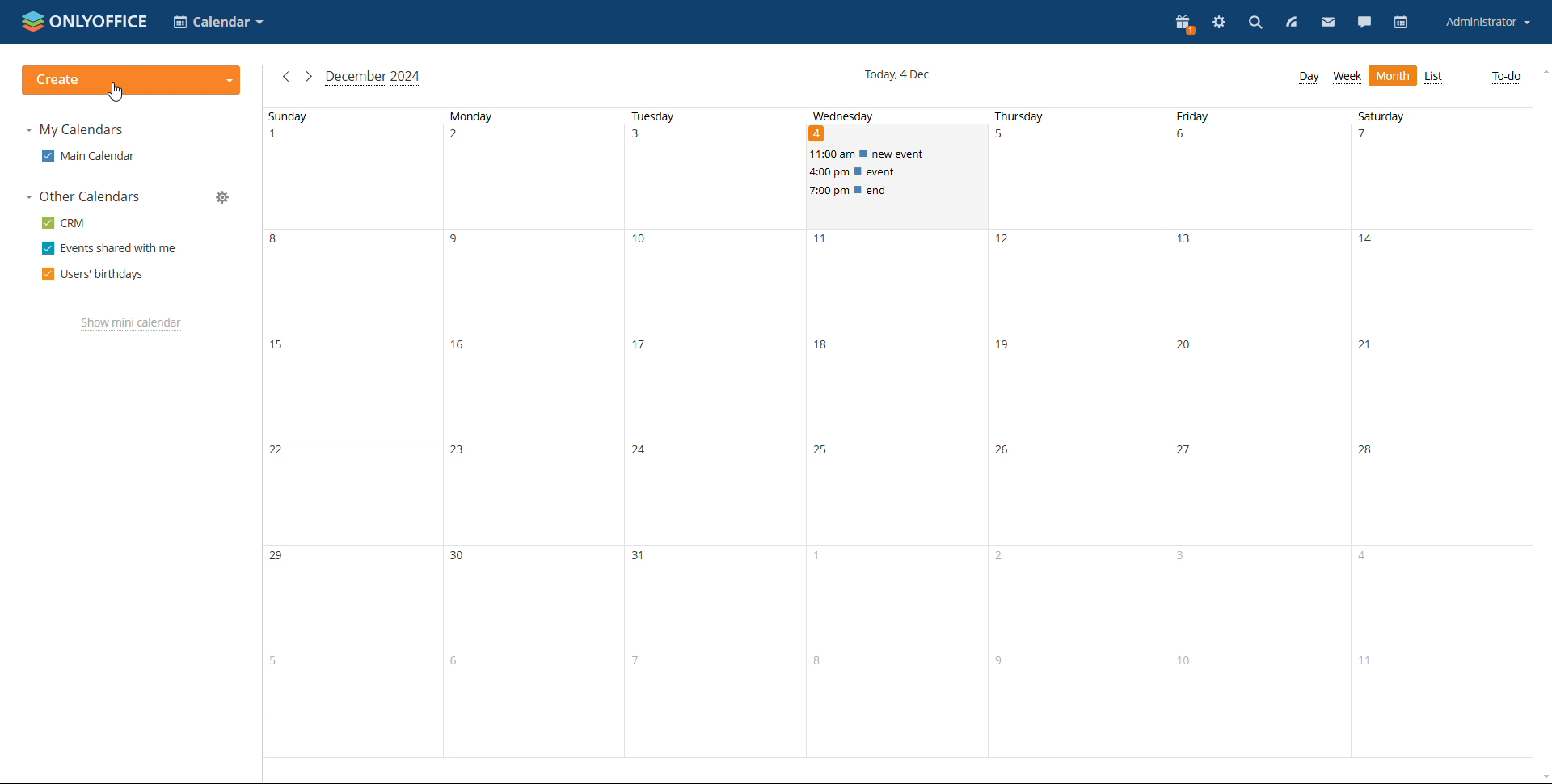 This screenshot has height=784, width=1552. I want to click on show mini calendar, so click(130, 323).